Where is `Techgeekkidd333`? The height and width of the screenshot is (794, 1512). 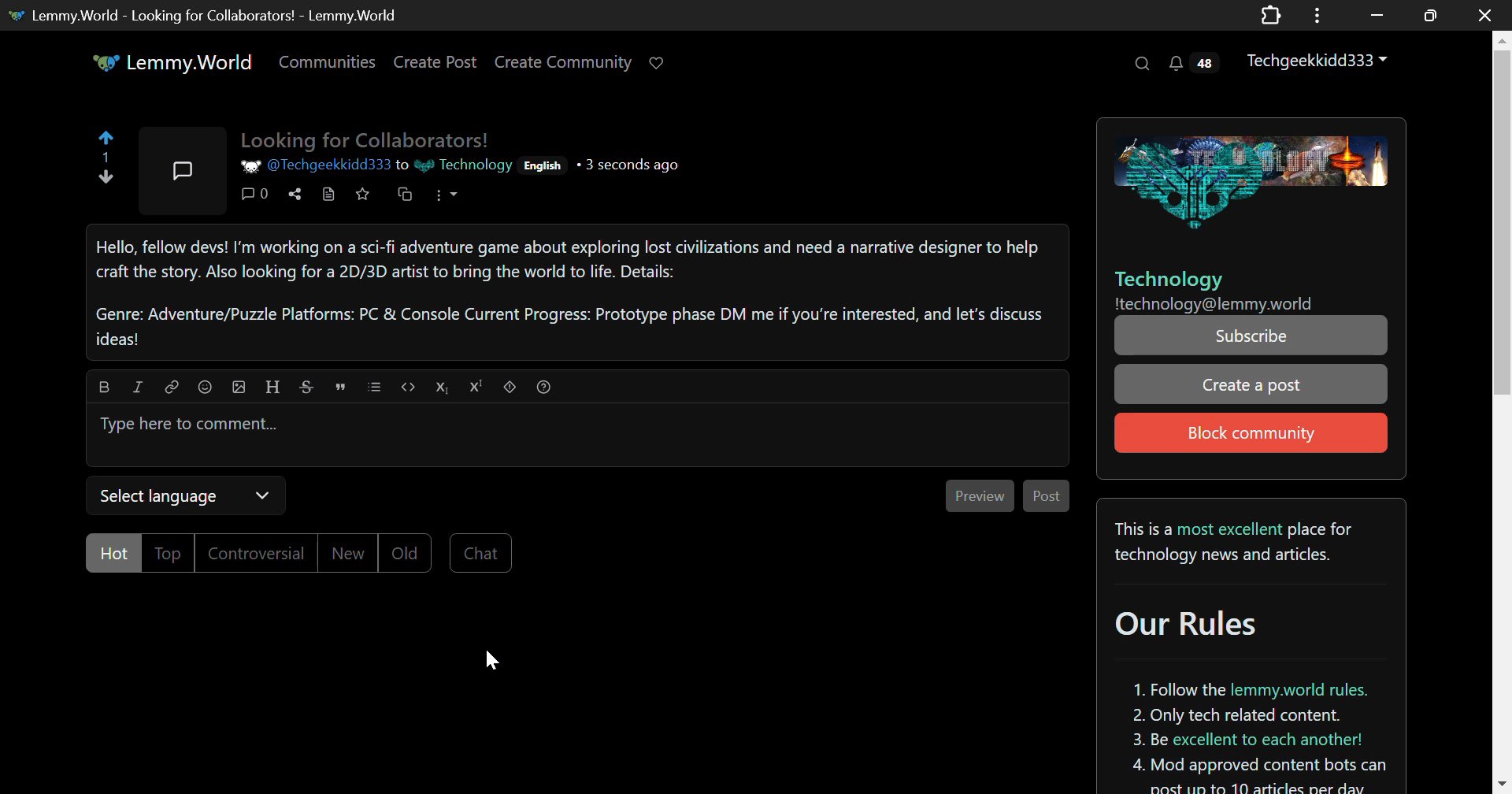
Techgeekkidd333 is located at coordinates (1319, 61).